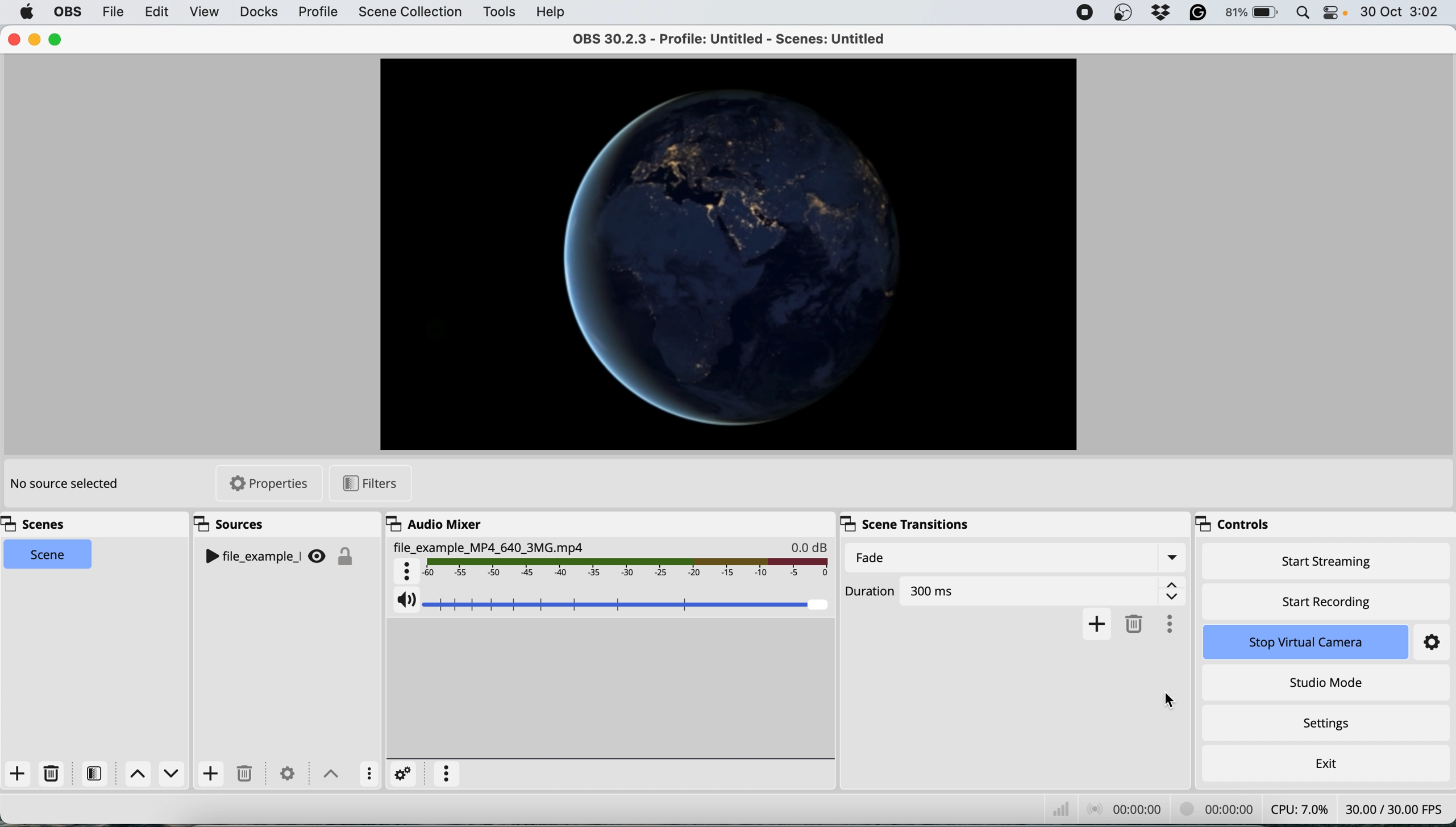 The image size is (1456, 827). I want to click on help, so click(555, 10).